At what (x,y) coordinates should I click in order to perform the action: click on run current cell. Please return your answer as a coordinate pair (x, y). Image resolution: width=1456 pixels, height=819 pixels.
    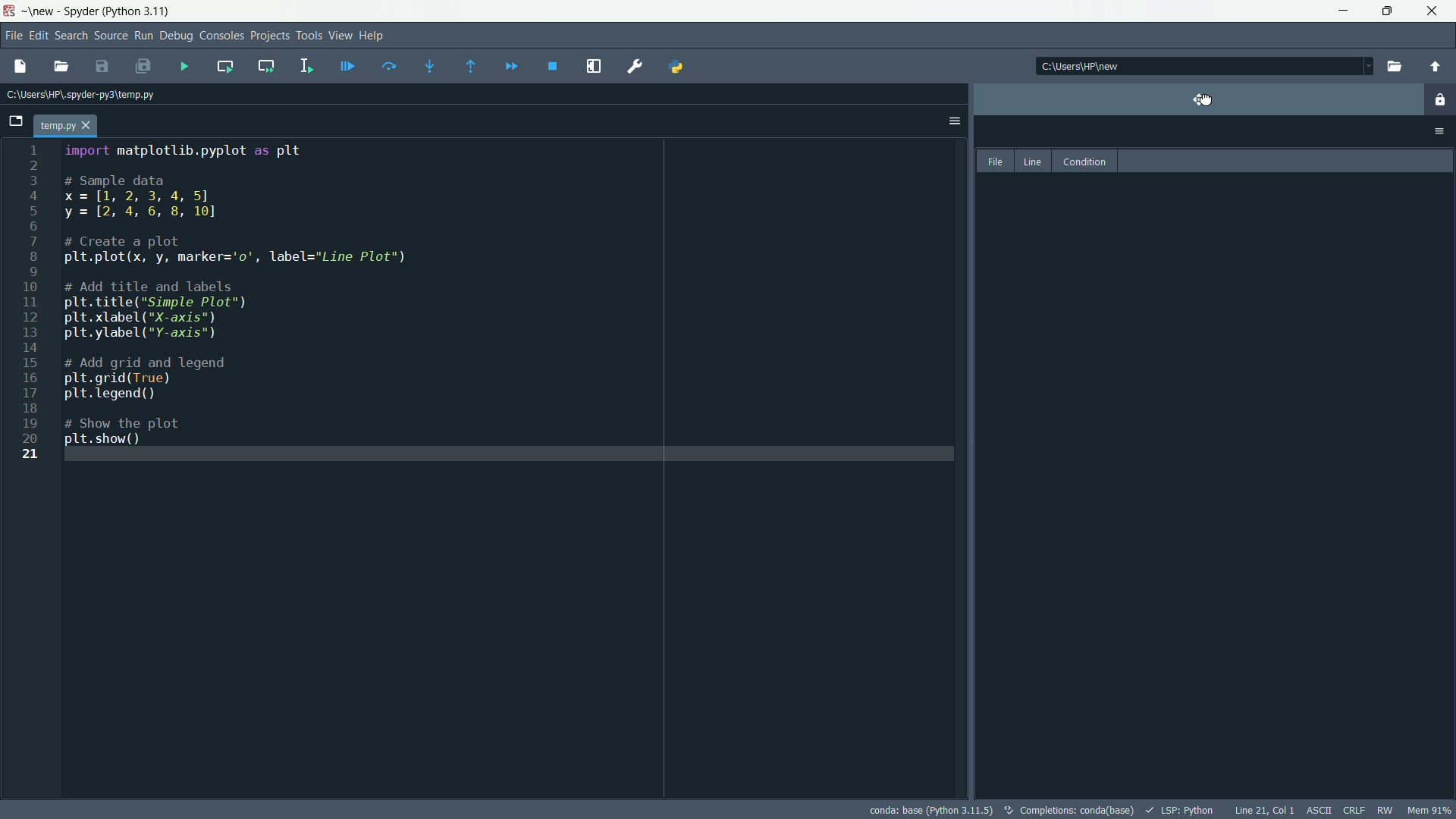
    Looking at the image, I should click on (222, 66).